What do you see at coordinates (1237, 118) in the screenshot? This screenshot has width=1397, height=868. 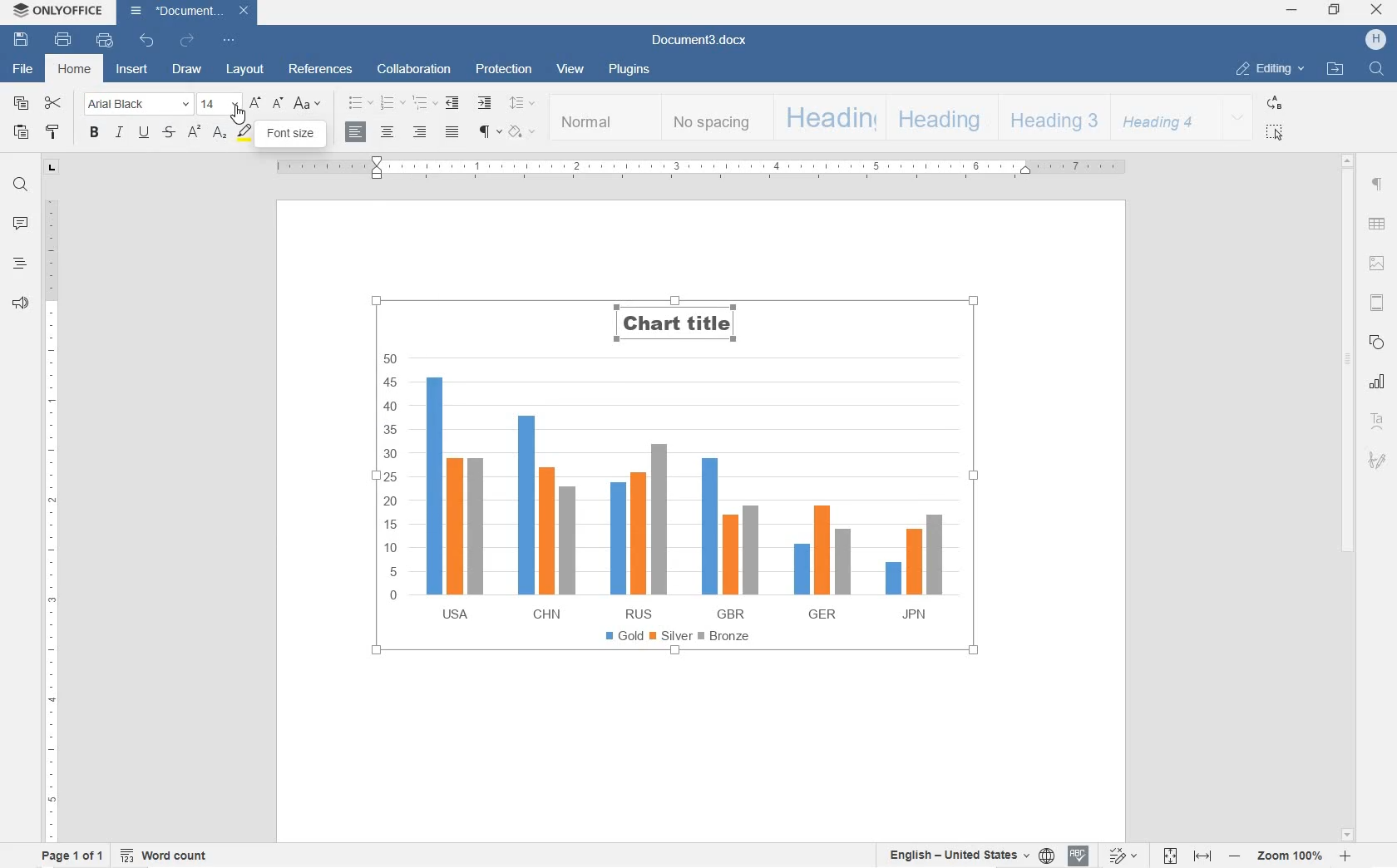 I see `EXPAND FORMATTING STYLE` at bounding box center [1237, 118].